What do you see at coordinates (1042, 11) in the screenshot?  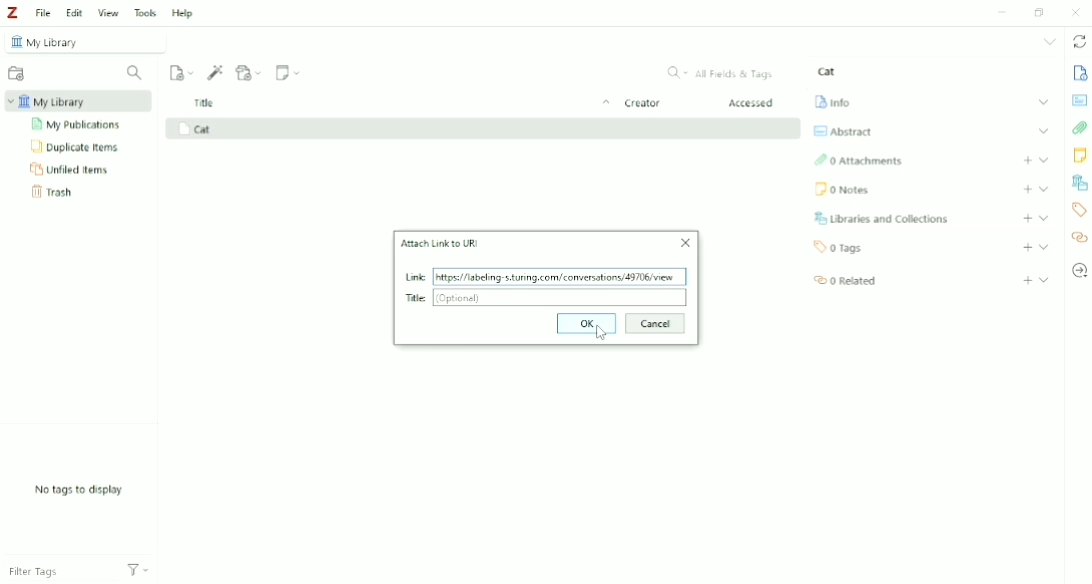 I see `Restore down` at bounding box center [1042, 11].